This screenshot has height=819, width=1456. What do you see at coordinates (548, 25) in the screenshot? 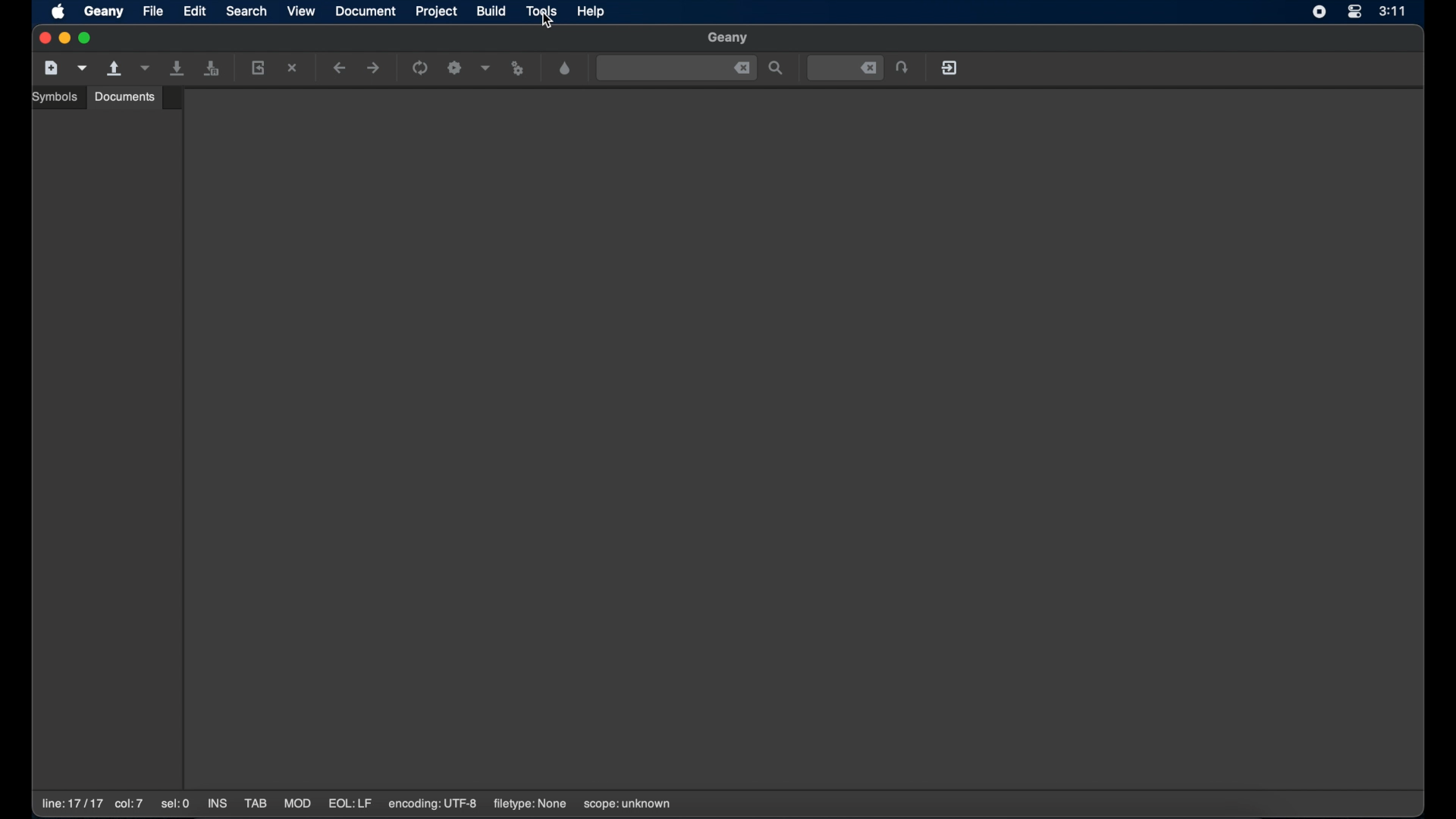
I see `cursor` at bounding box center [548, 25].